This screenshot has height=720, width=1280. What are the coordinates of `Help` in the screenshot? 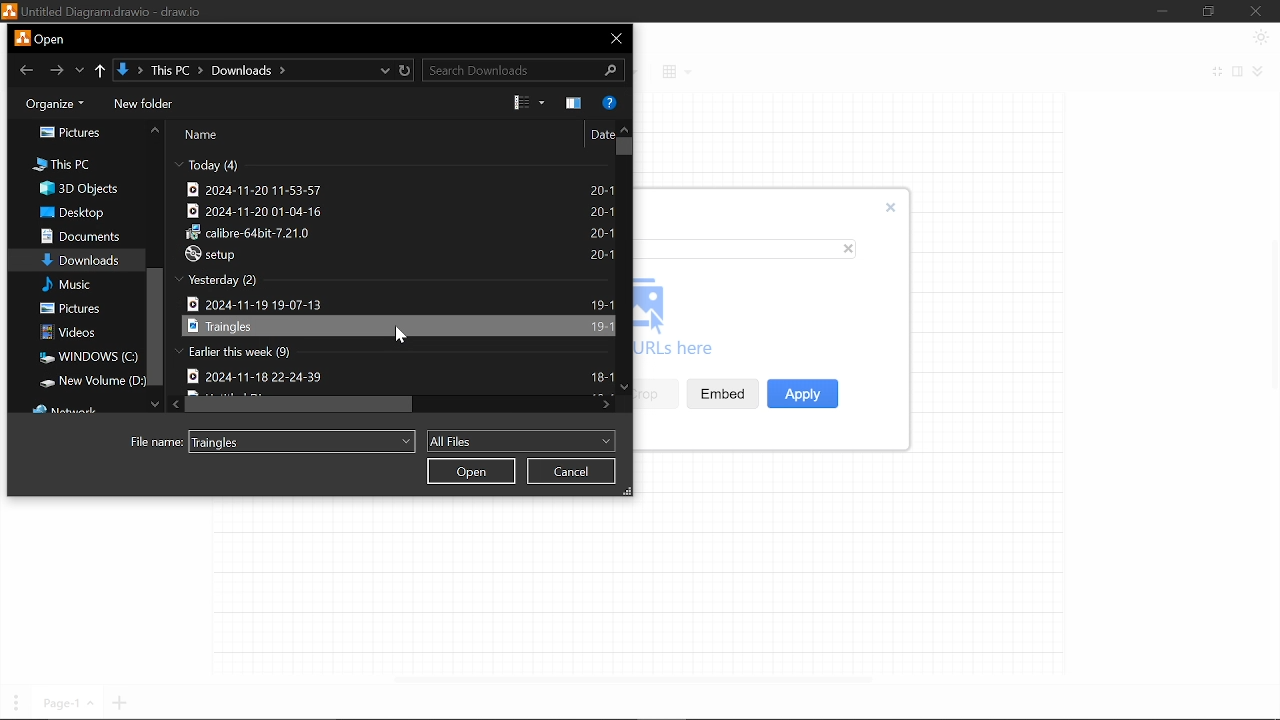 It's located at (609, 103).